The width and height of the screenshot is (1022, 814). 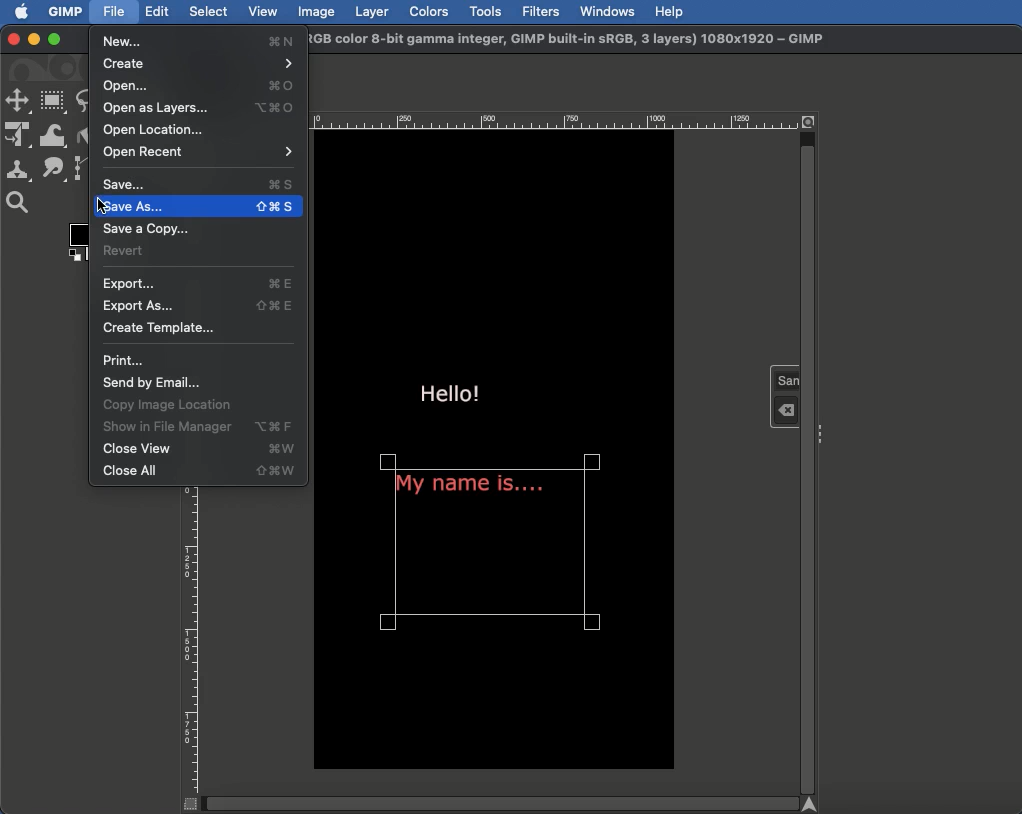 What do you see at coordinates (11, 38) in the screenshot?
I see `Close` at bounding box center [11, 38].